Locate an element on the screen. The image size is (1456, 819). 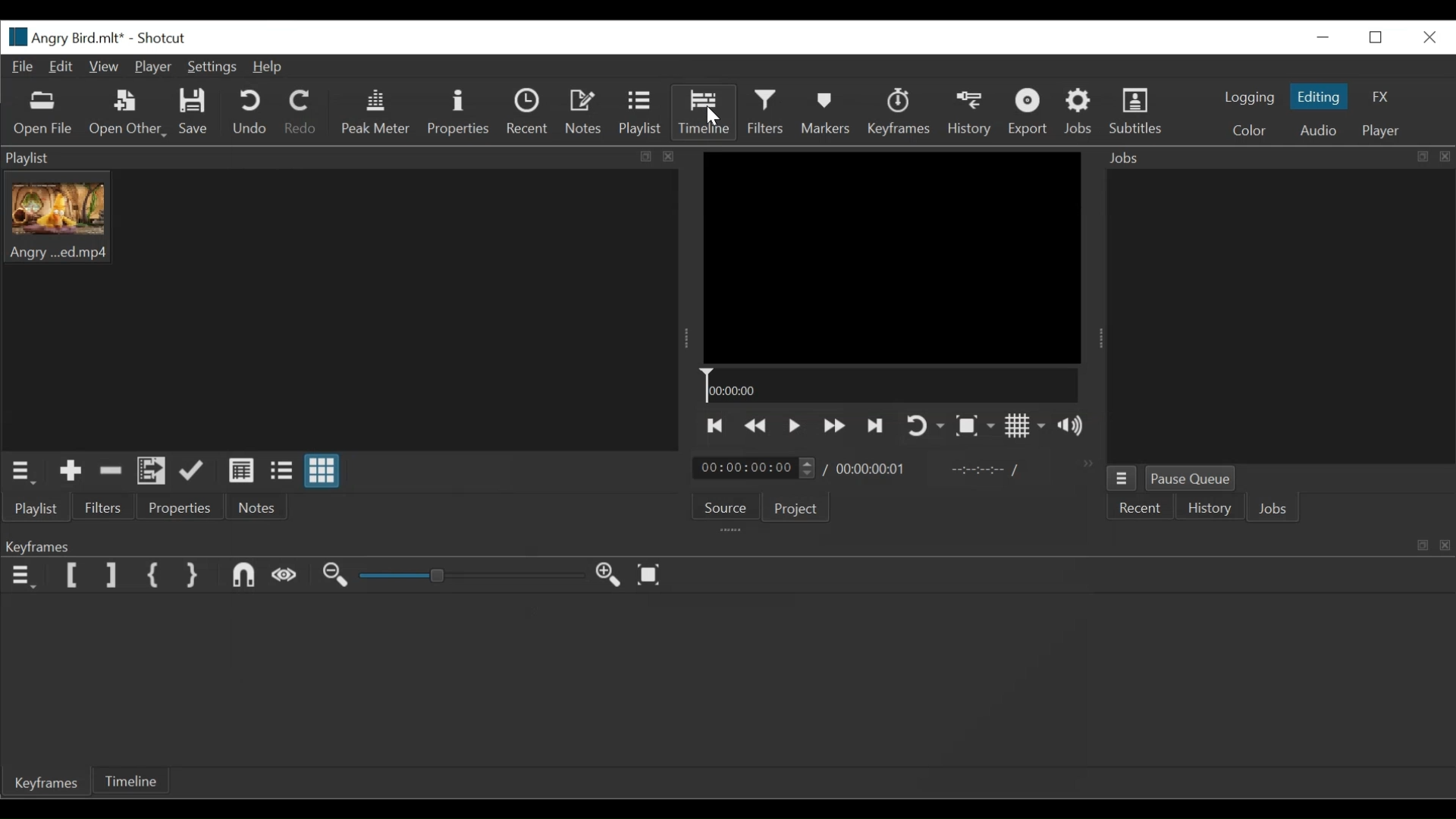
Add the Source to the playlist is located at coordinates (69, 471).